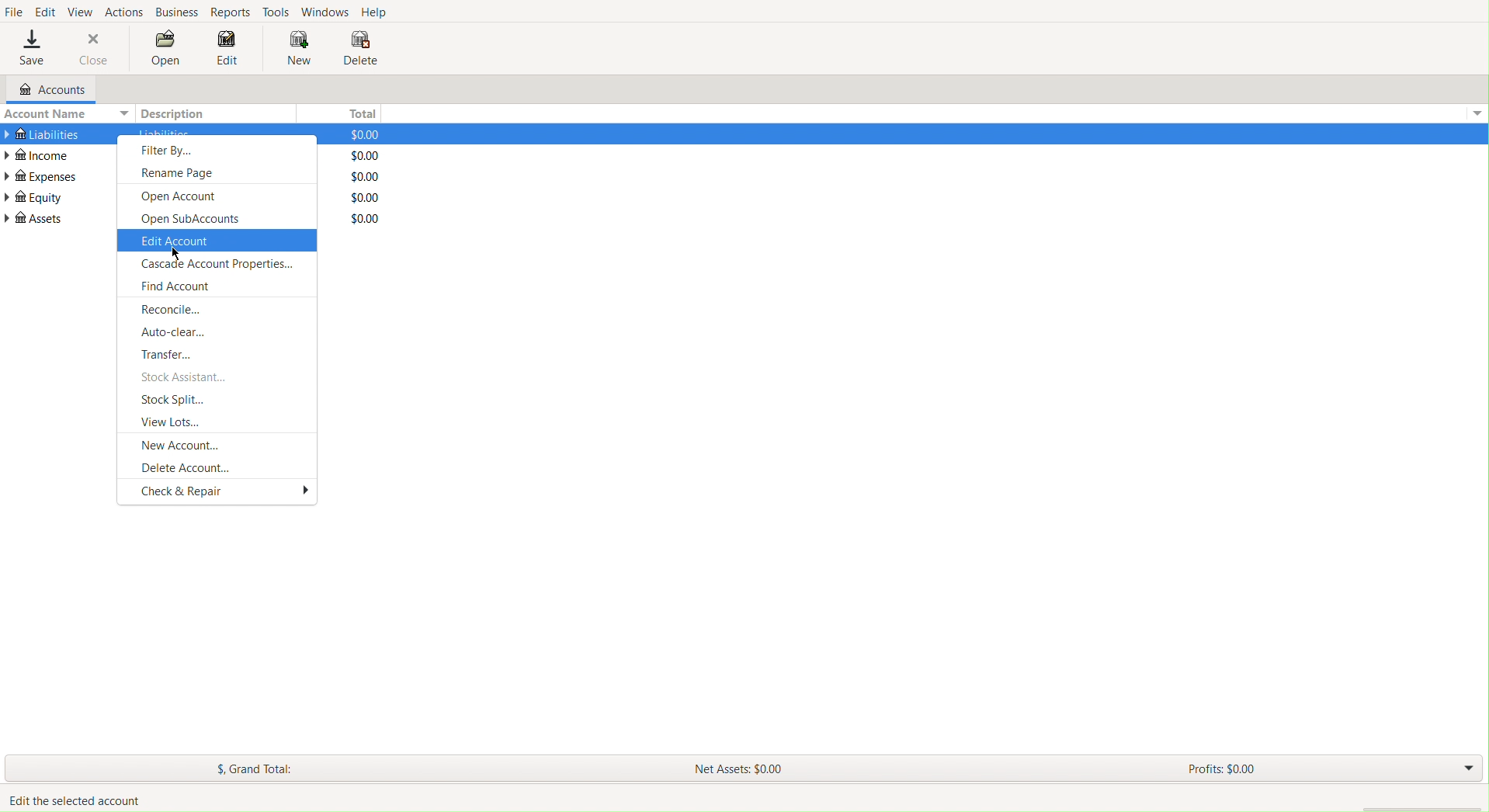  What do you see at coordinates (359, 177) in the screenshot?
I see `$0.00` at bounding box center [359, 177].